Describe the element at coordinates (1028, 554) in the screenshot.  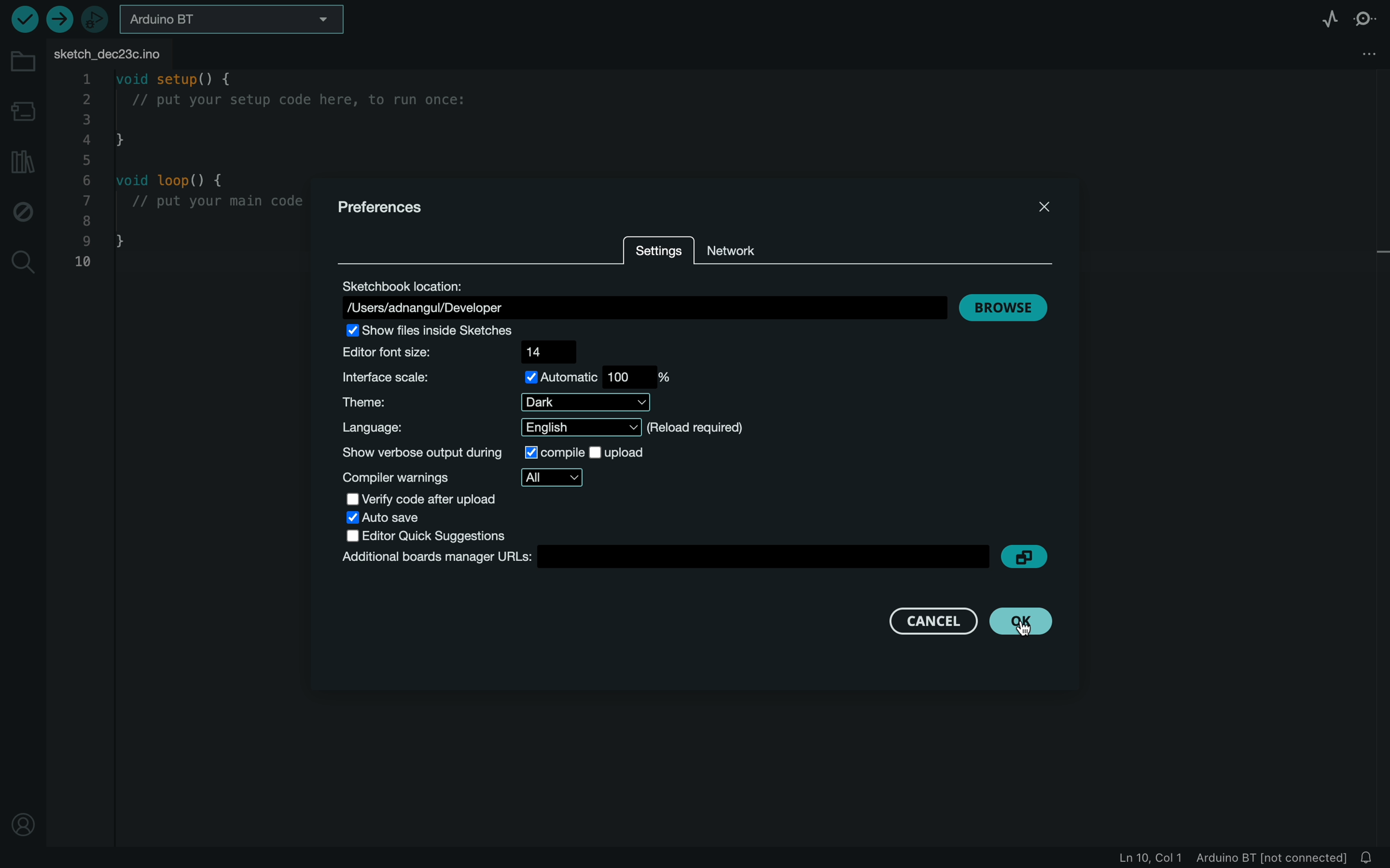
I see `copy` at that location.